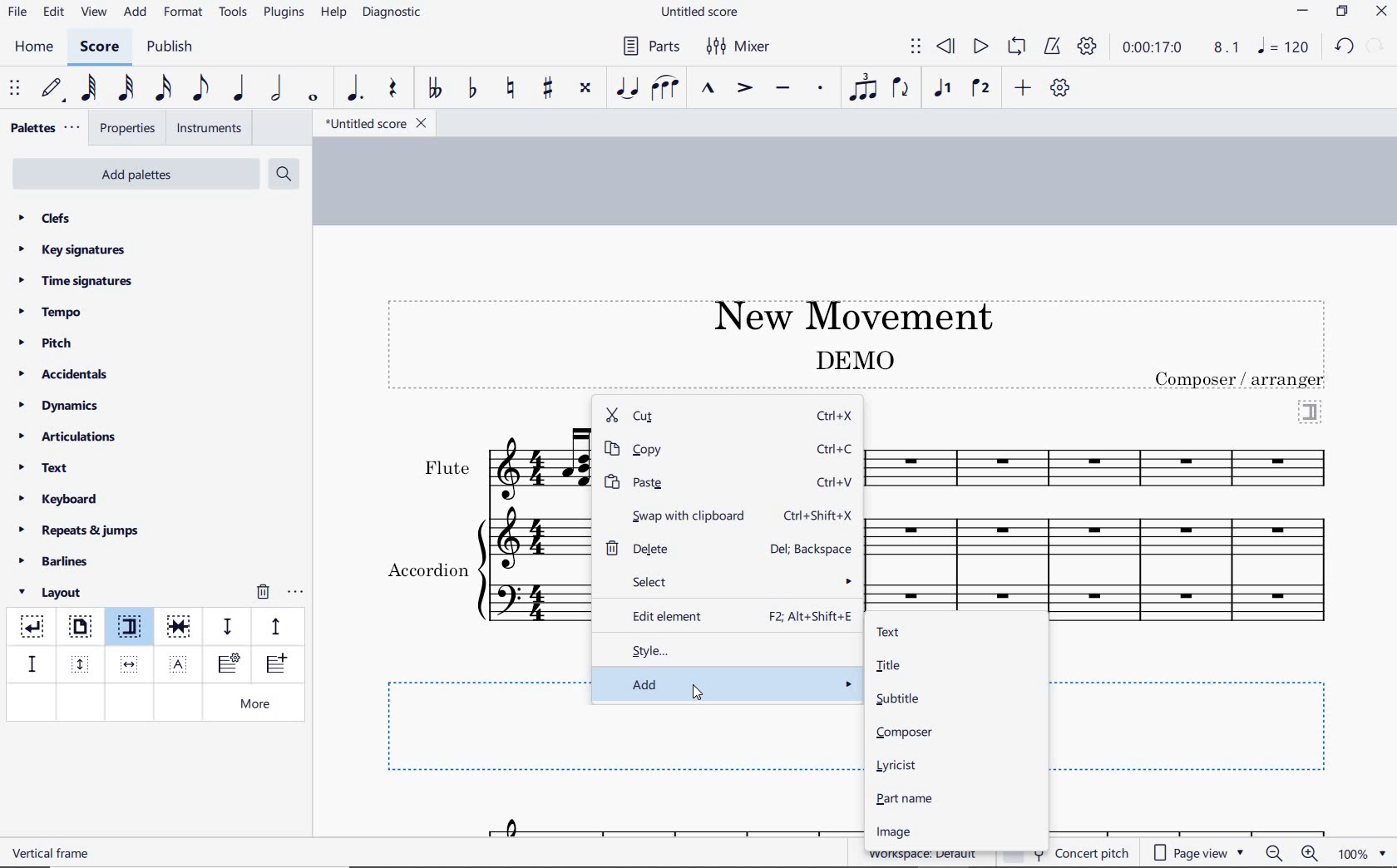 The width and height of the screenshot is (1397, 868). What do you see at coordinates (906, 732) in the screenshot?
I see `composer` at bounding box center [906, 732].